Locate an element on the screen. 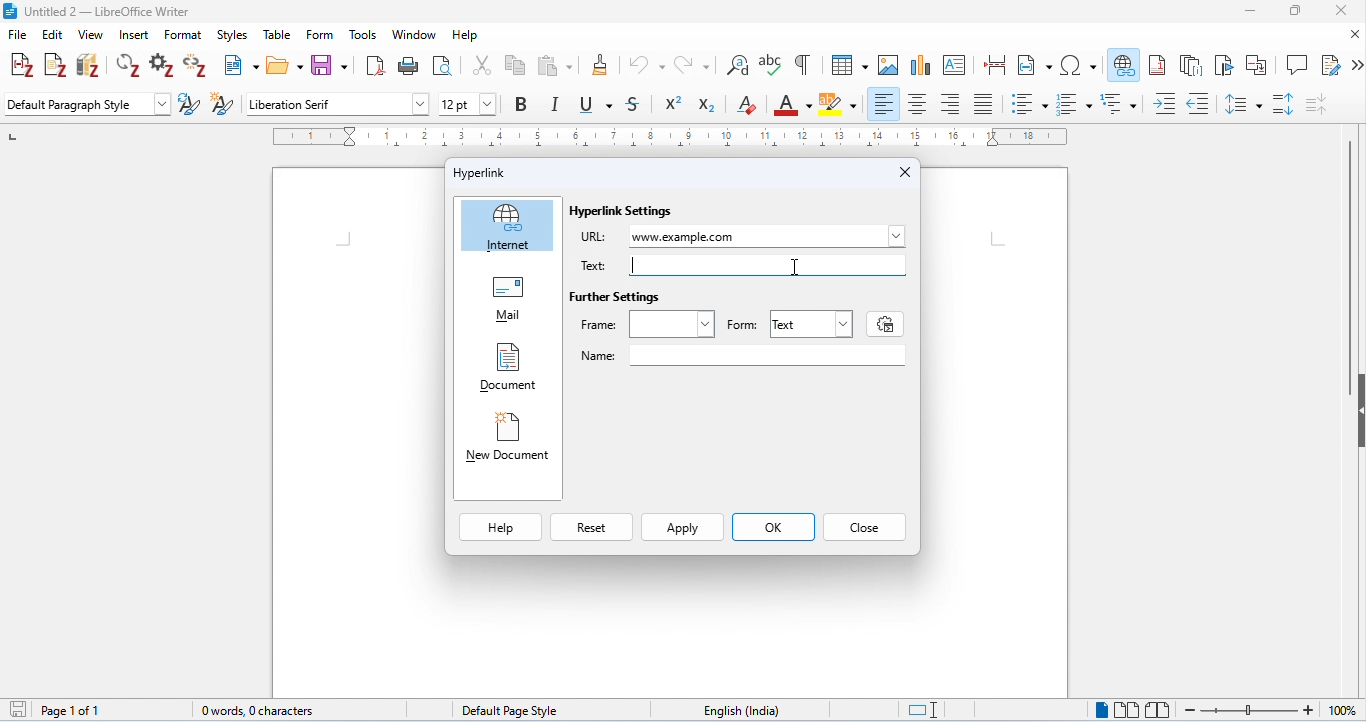 Image resolution: width=1366 pixels, height=722 pixels. underline is located at coordinates (596, 105).